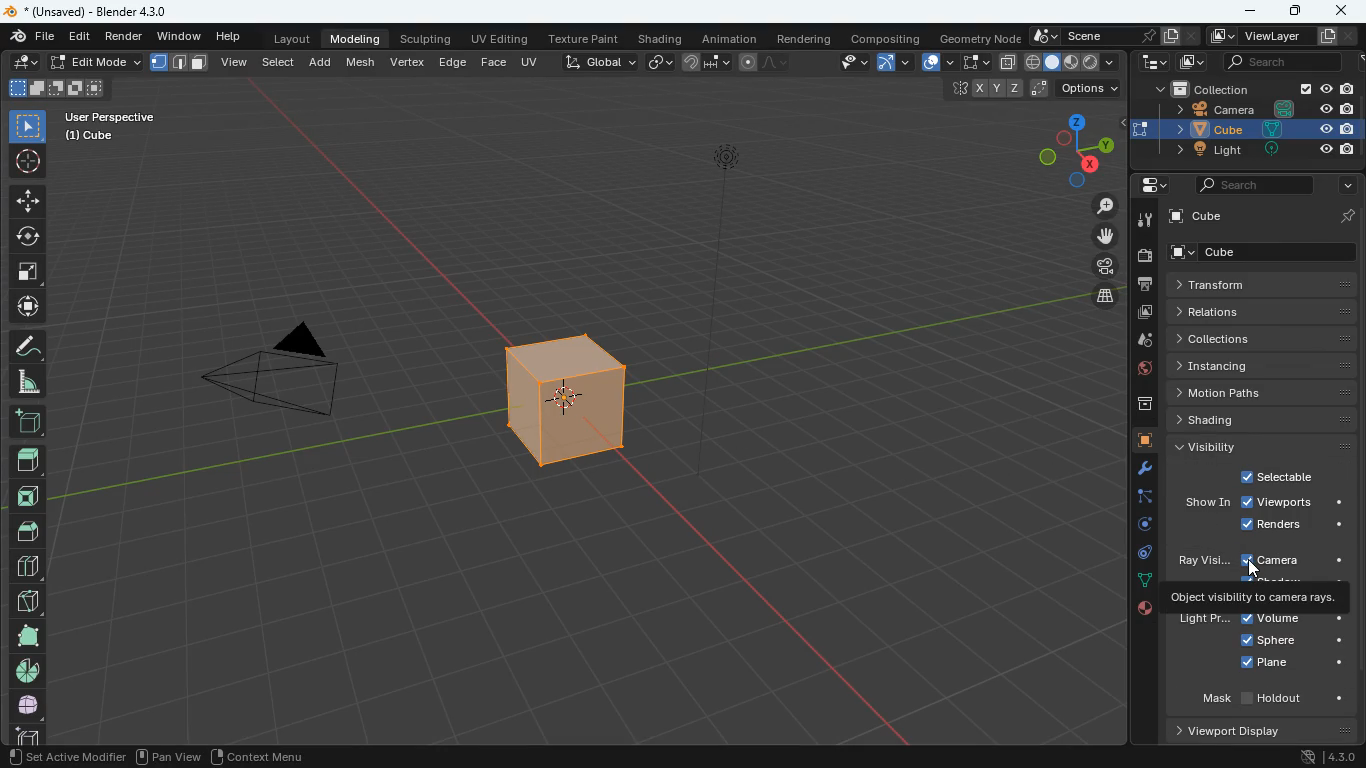  I want to click on maximize, so click(1299, 11).